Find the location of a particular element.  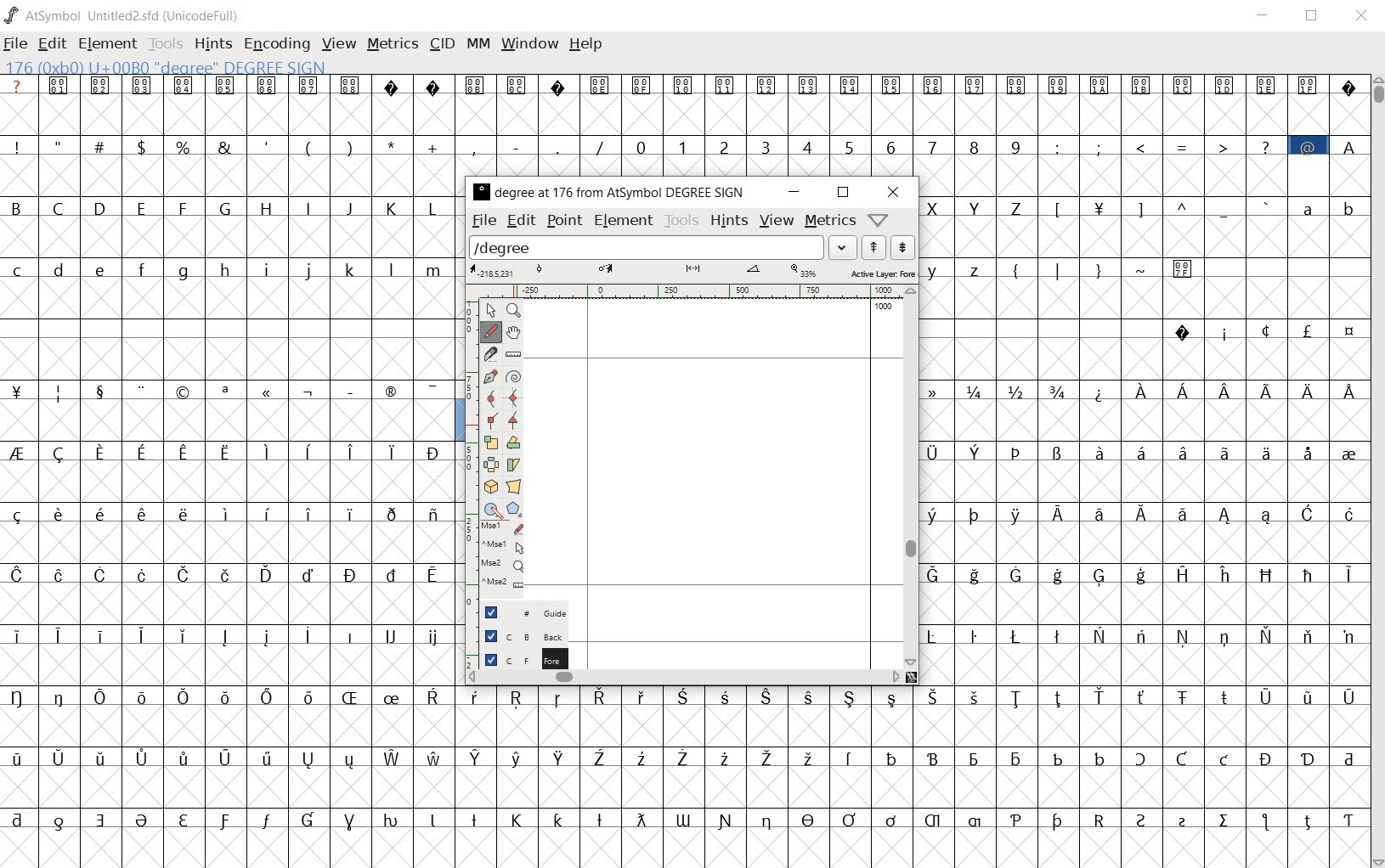

perform a perspective transformation on the selection is located at coordinates (513, 486).